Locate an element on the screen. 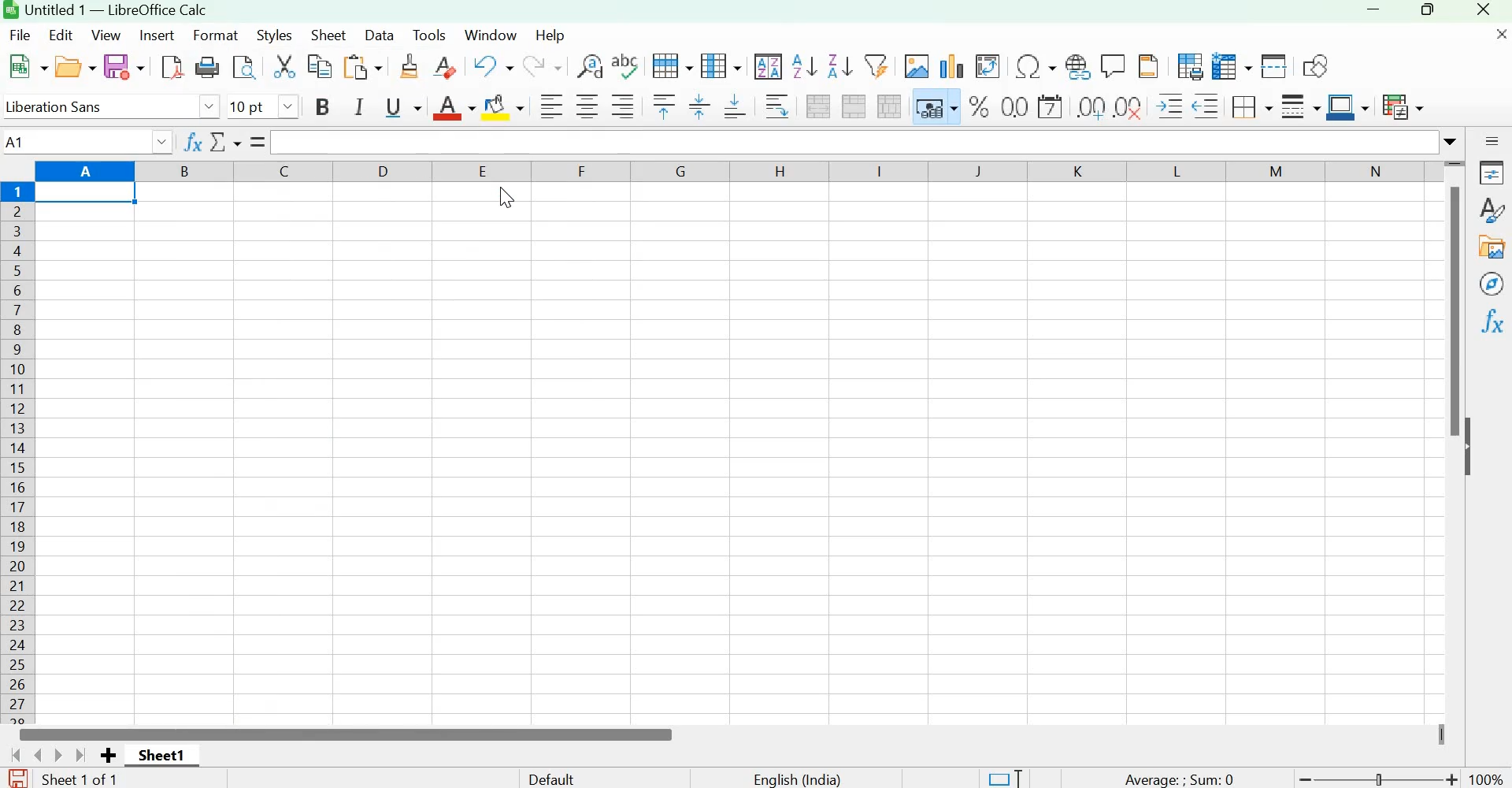 This screenshot has width=1512, height=788. Close is located at coordinates (1486, 11).